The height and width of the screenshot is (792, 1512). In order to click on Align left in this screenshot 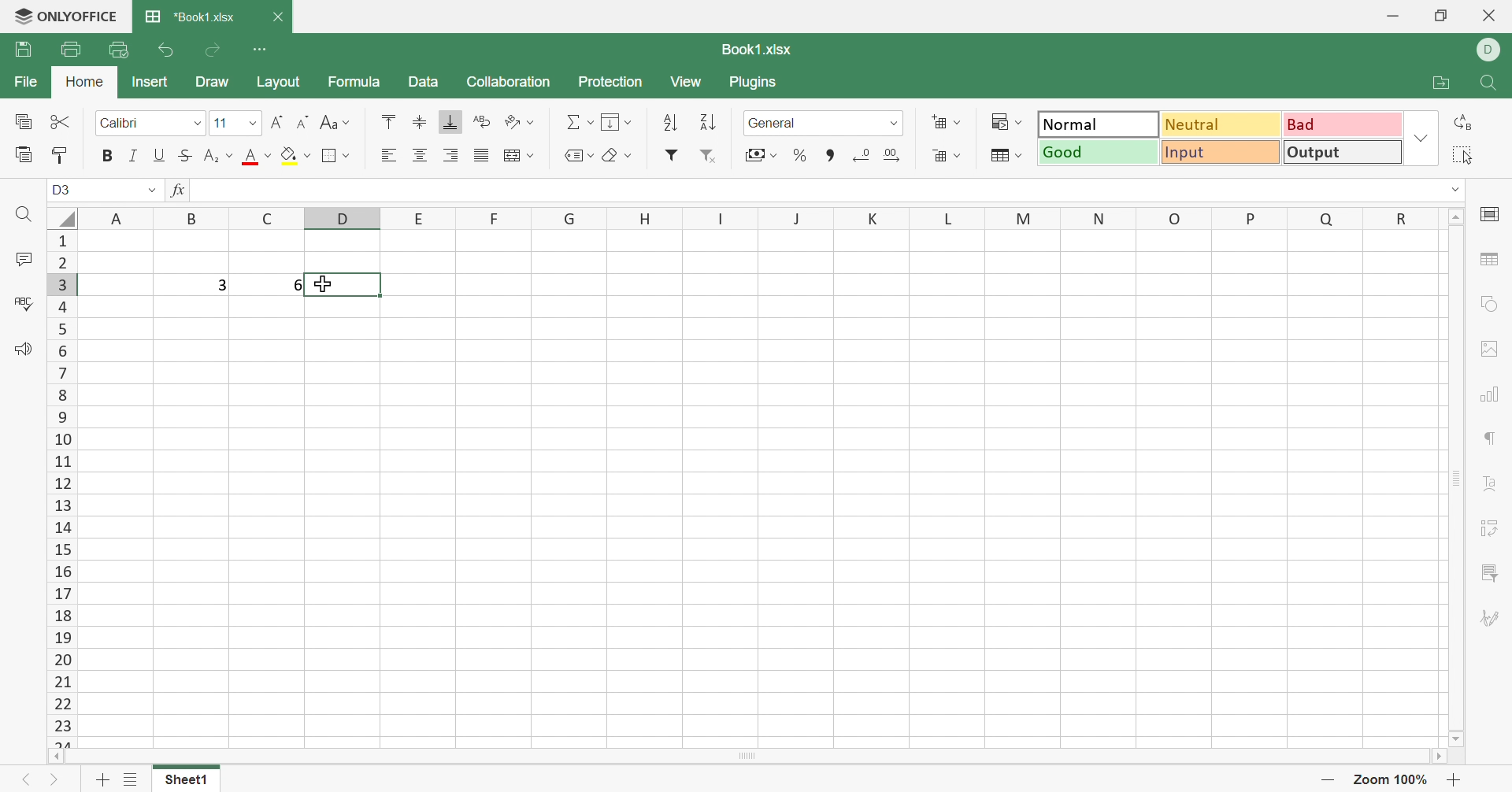, I will do `click(391, 156)`.